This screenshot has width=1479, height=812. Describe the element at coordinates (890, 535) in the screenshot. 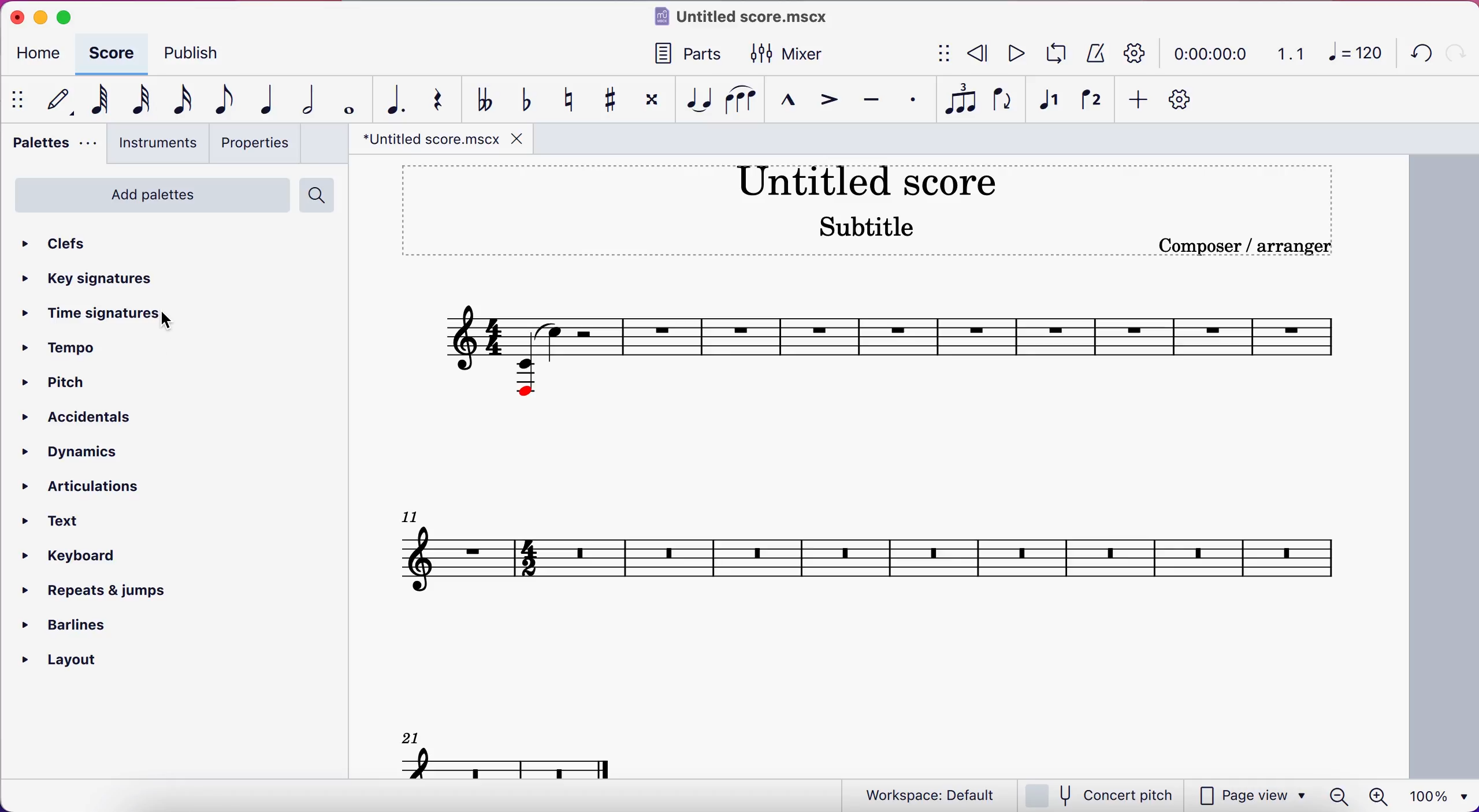

I see `score` at that location.